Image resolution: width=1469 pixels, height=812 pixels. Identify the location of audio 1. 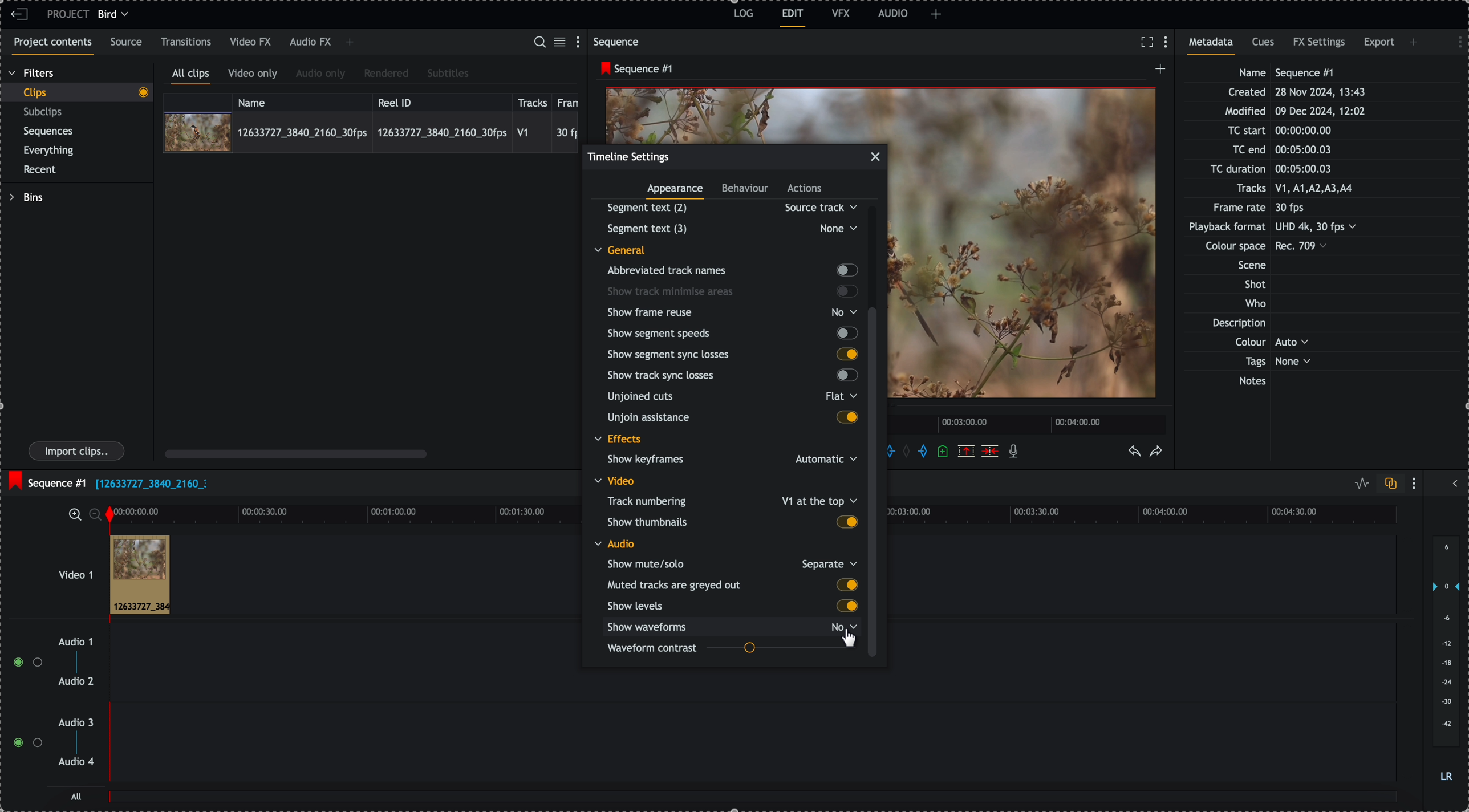
(71, 643).